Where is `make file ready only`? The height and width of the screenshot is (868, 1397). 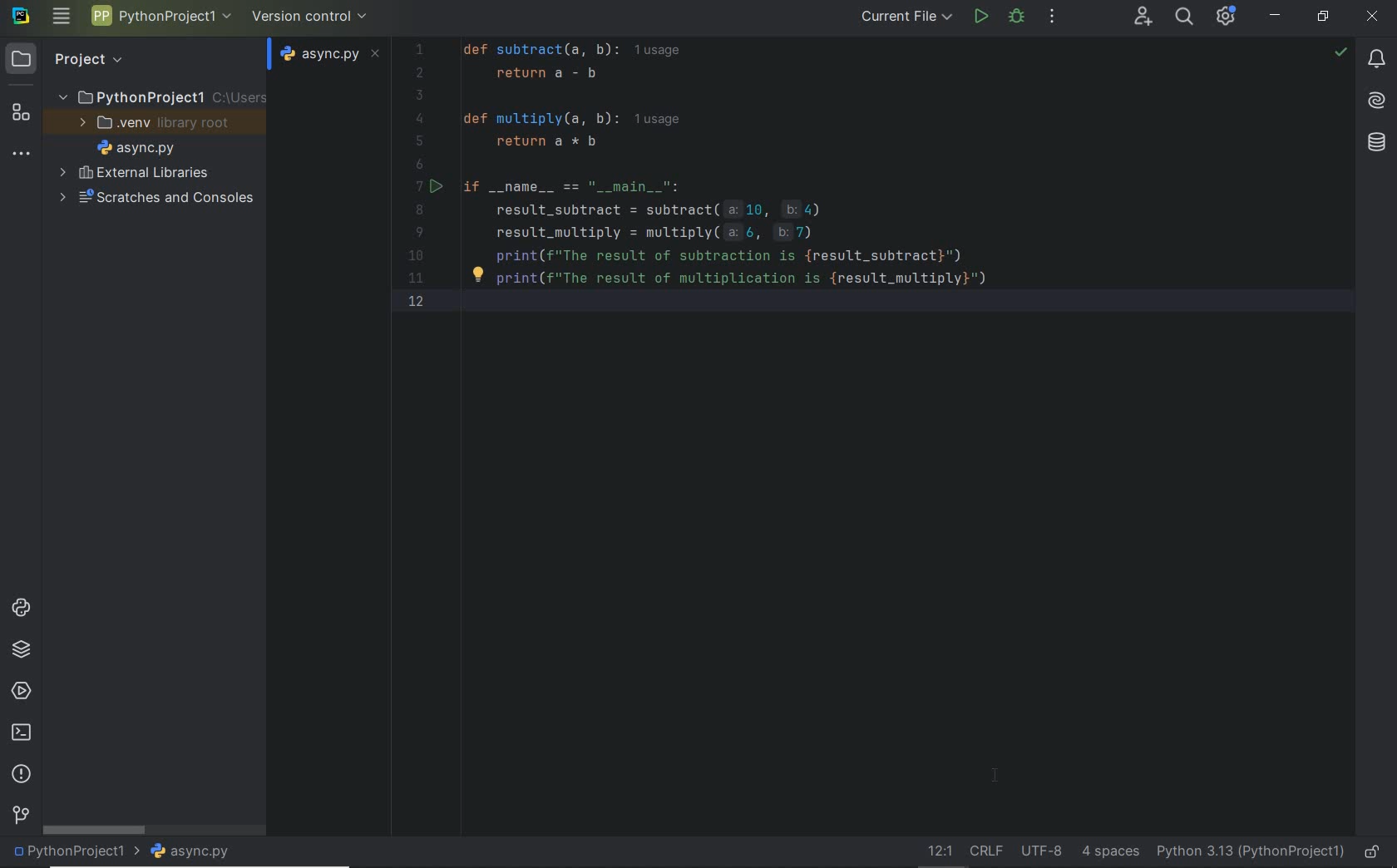
make file ready only is located at coordinates (1375, 852).